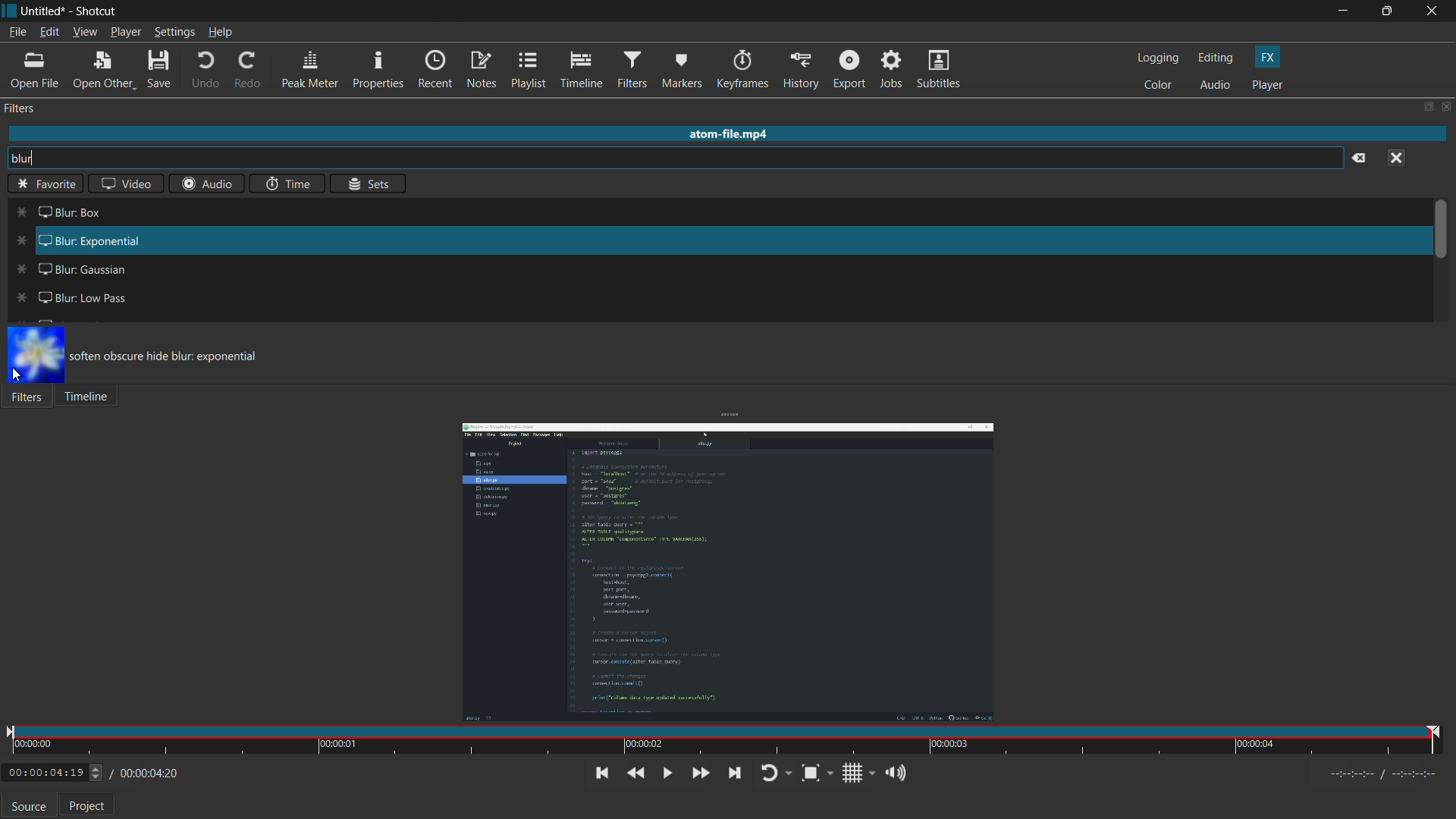 The width and height of the screenshot is (1456, 819). Describe the element at coordinates (1268, 84) in the screenshot. I see `player` at that location.